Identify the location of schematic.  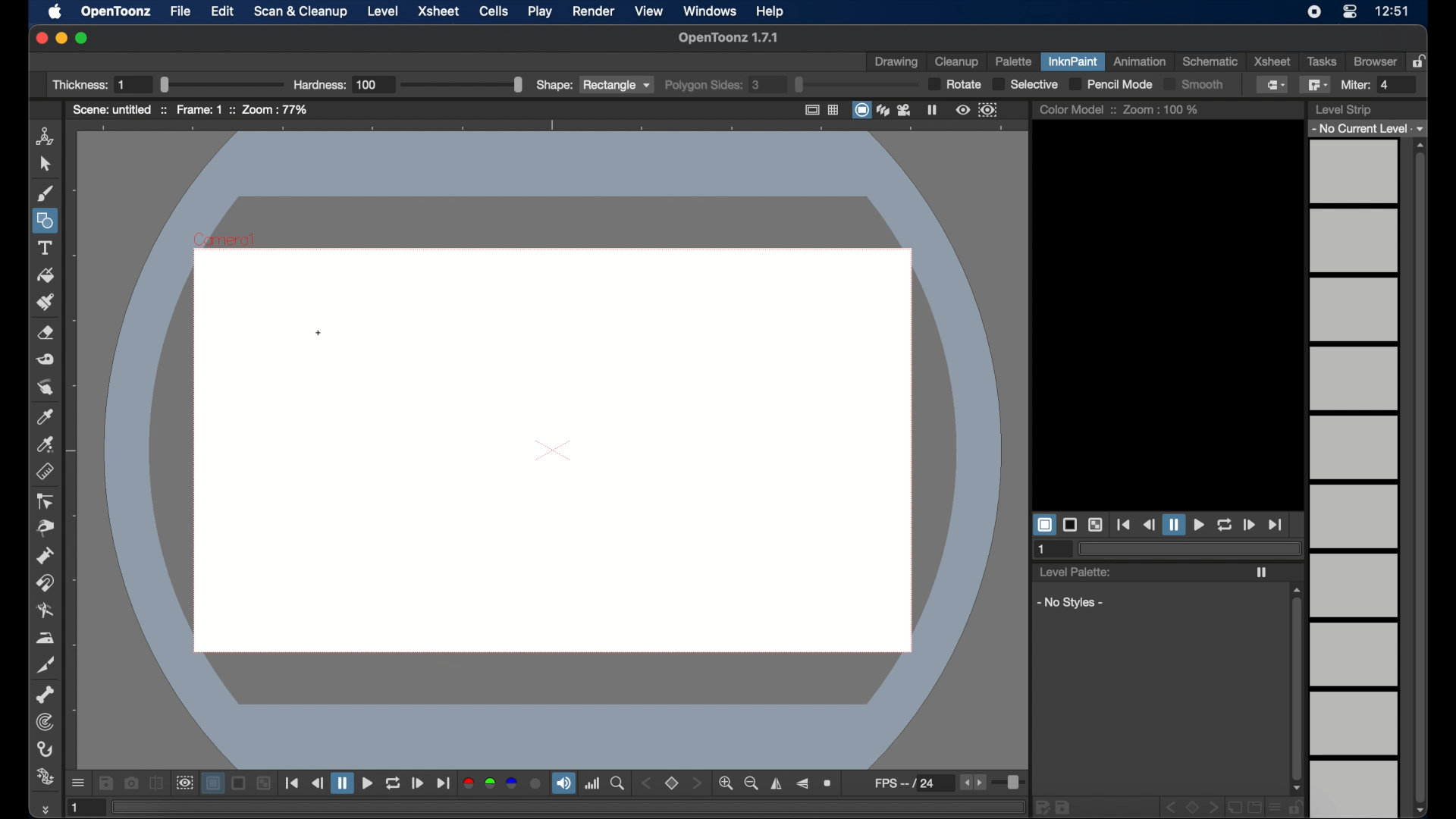
(1210, 62).